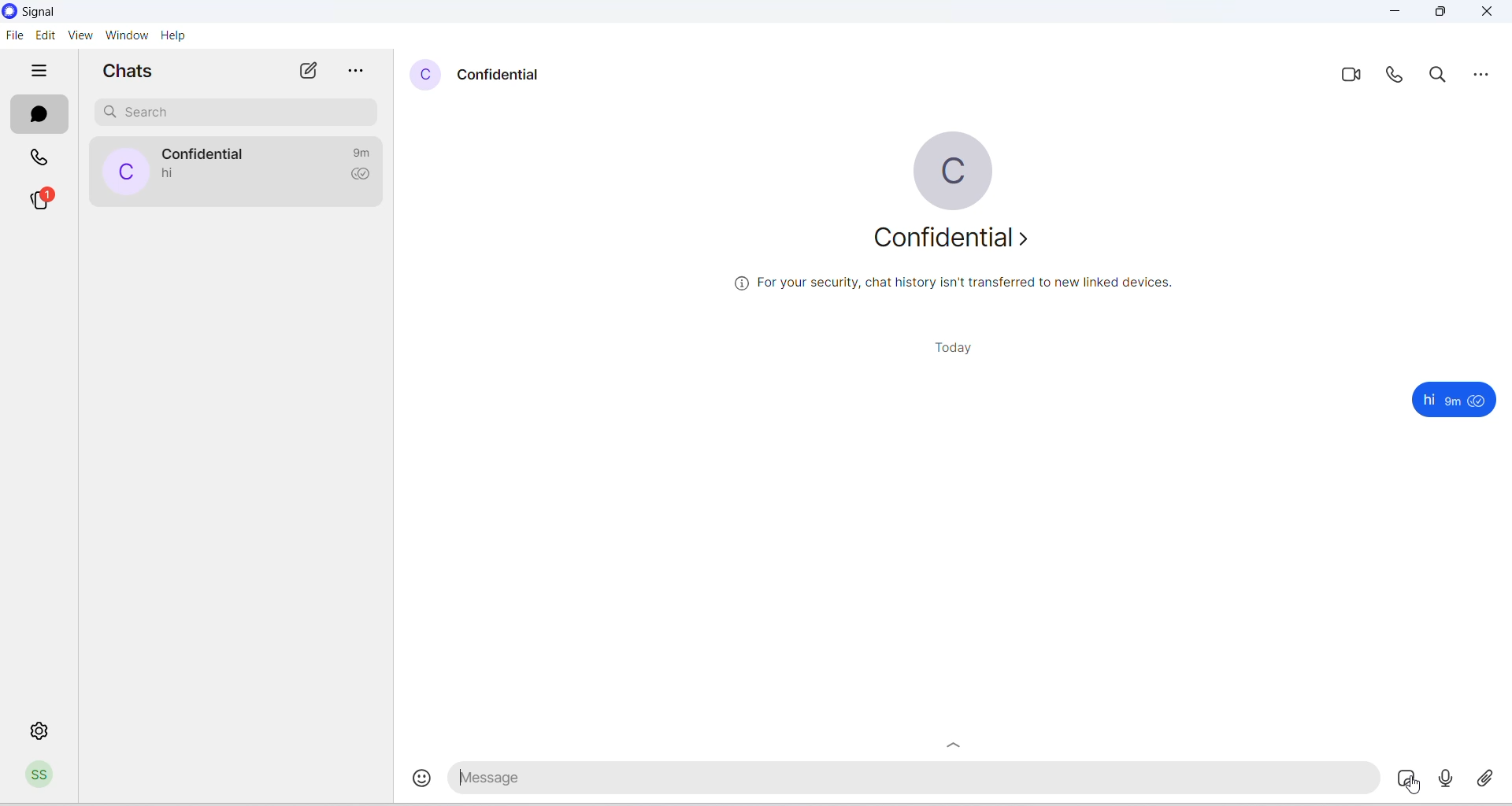 Image resolution: width=1512 pixels, height=806 pixels. What do you see at coordinates (1415, 789) in the screenshot?
I see `cursor` at bounding box center [1415, 789].